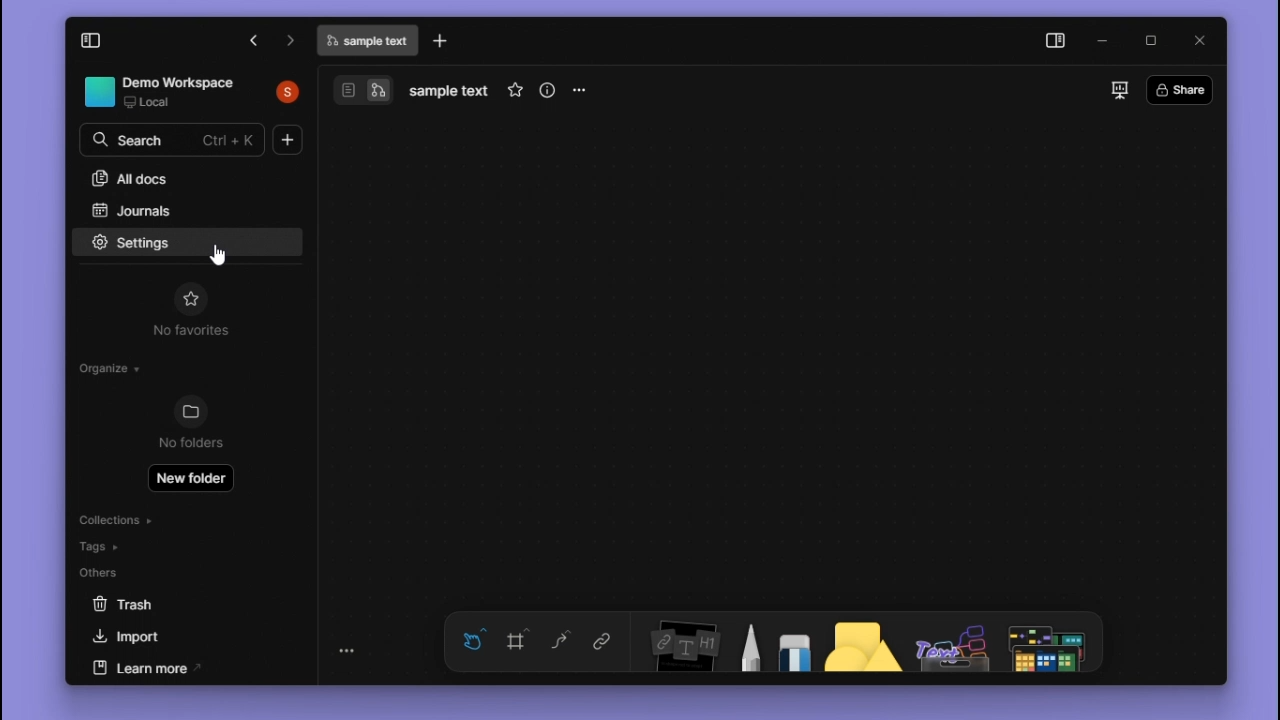 The height and width of the screenshot is (720, 1280). Describe the element at coordinates (1118, 90) in the screenshot. I see `slideshow` at that location.